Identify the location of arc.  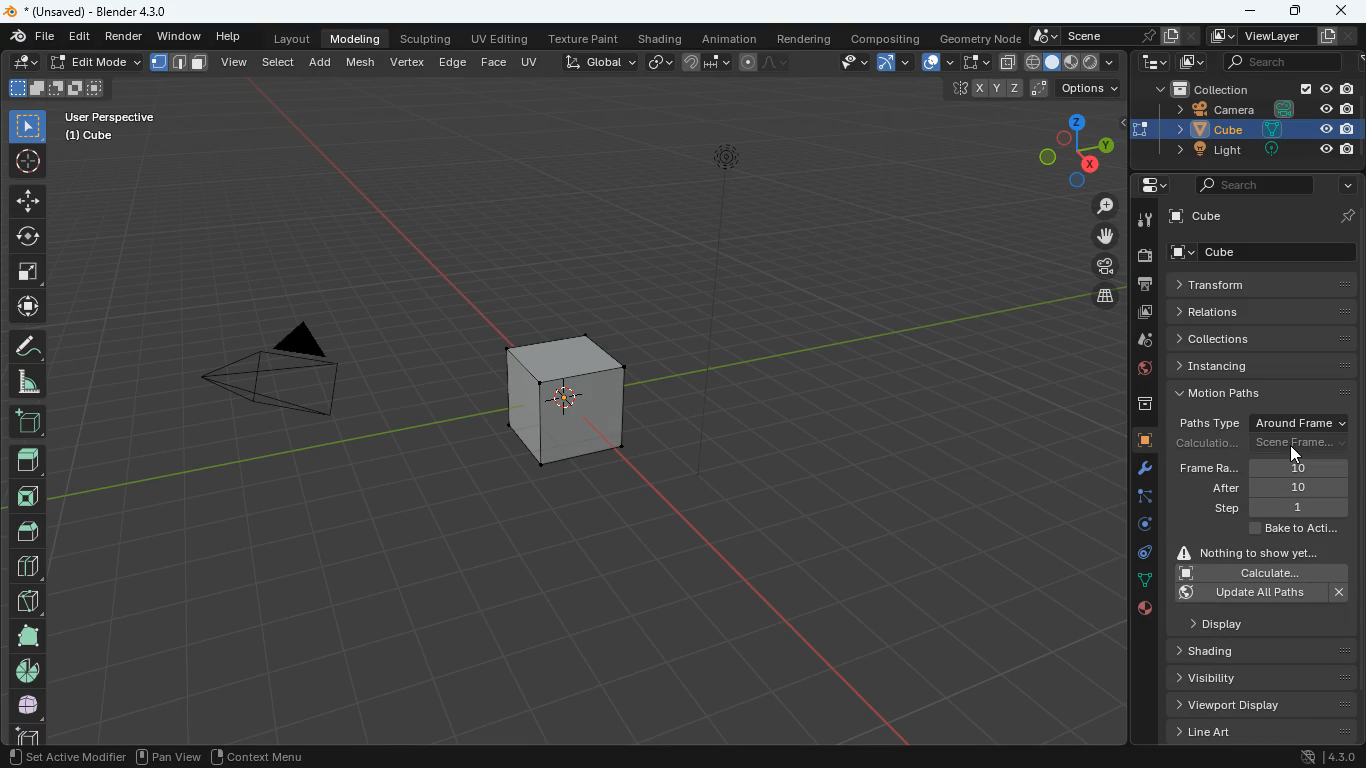
(896, 62).